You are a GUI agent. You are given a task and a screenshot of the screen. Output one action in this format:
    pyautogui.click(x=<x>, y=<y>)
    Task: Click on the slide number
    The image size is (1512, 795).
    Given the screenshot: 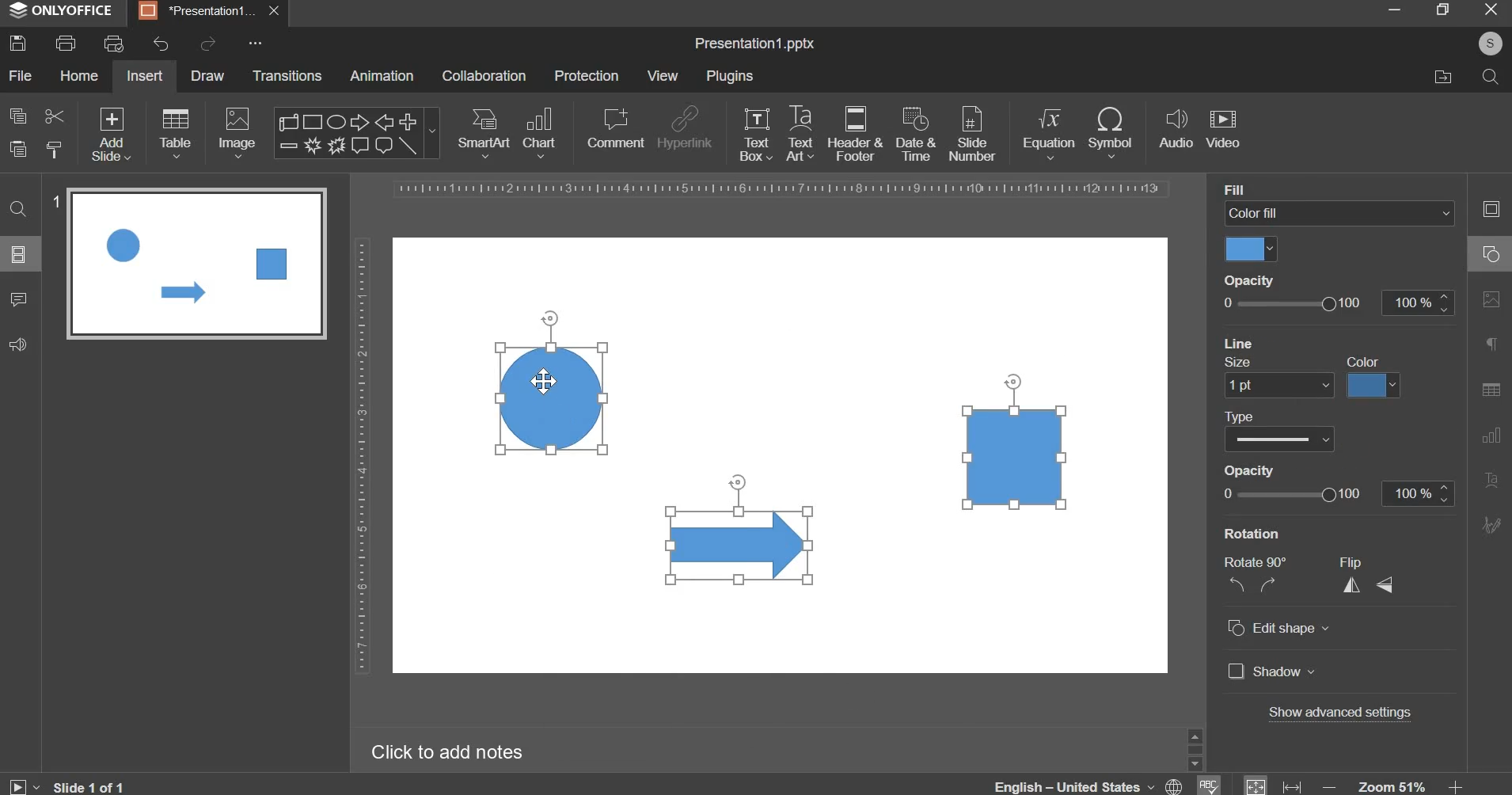 What is the action you would take?
    pyautogui.click(x=971, y=132)
    